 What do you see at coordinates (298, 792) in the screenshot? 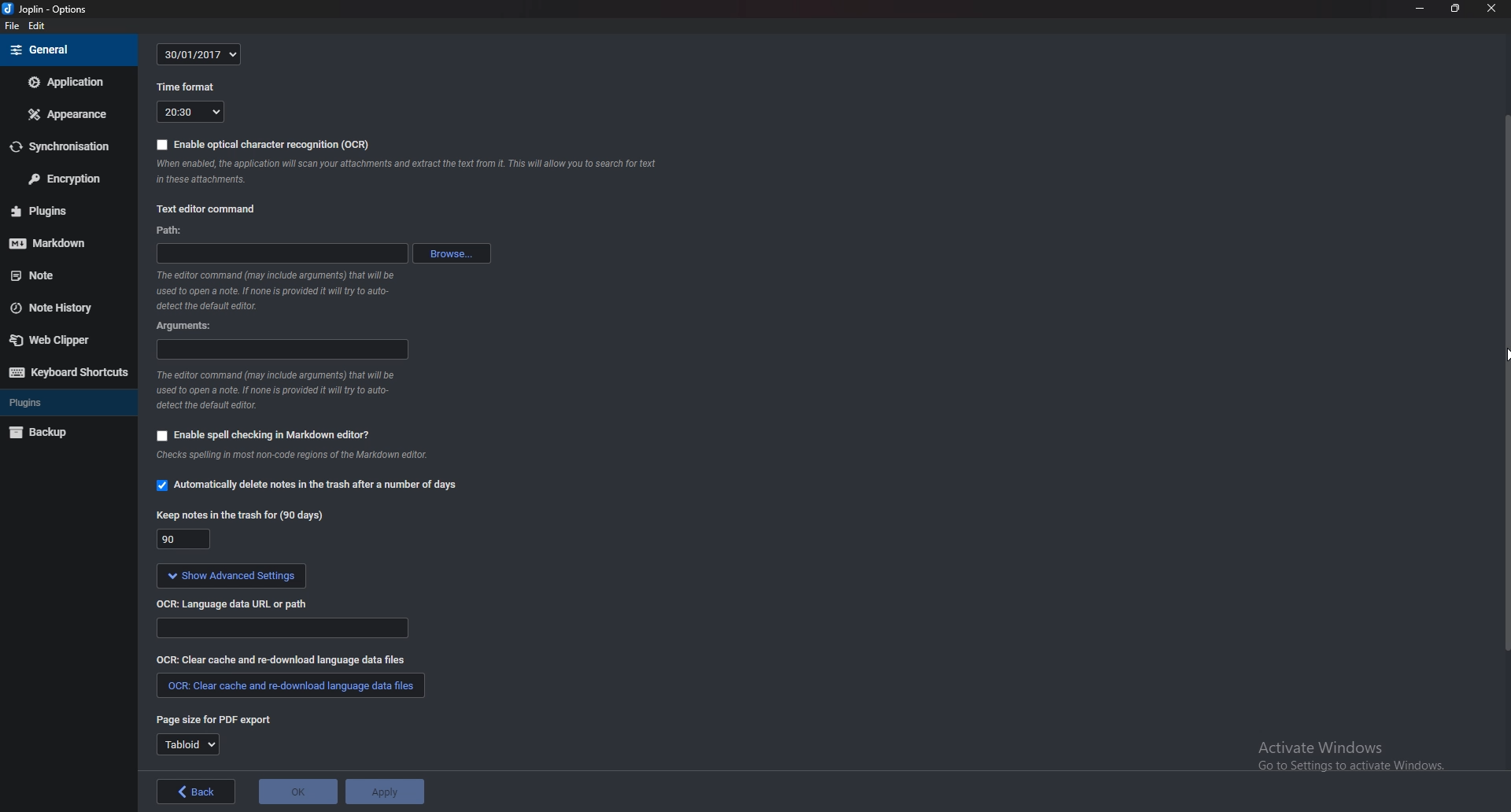
I see `OK` at bounding box center [298, 792].